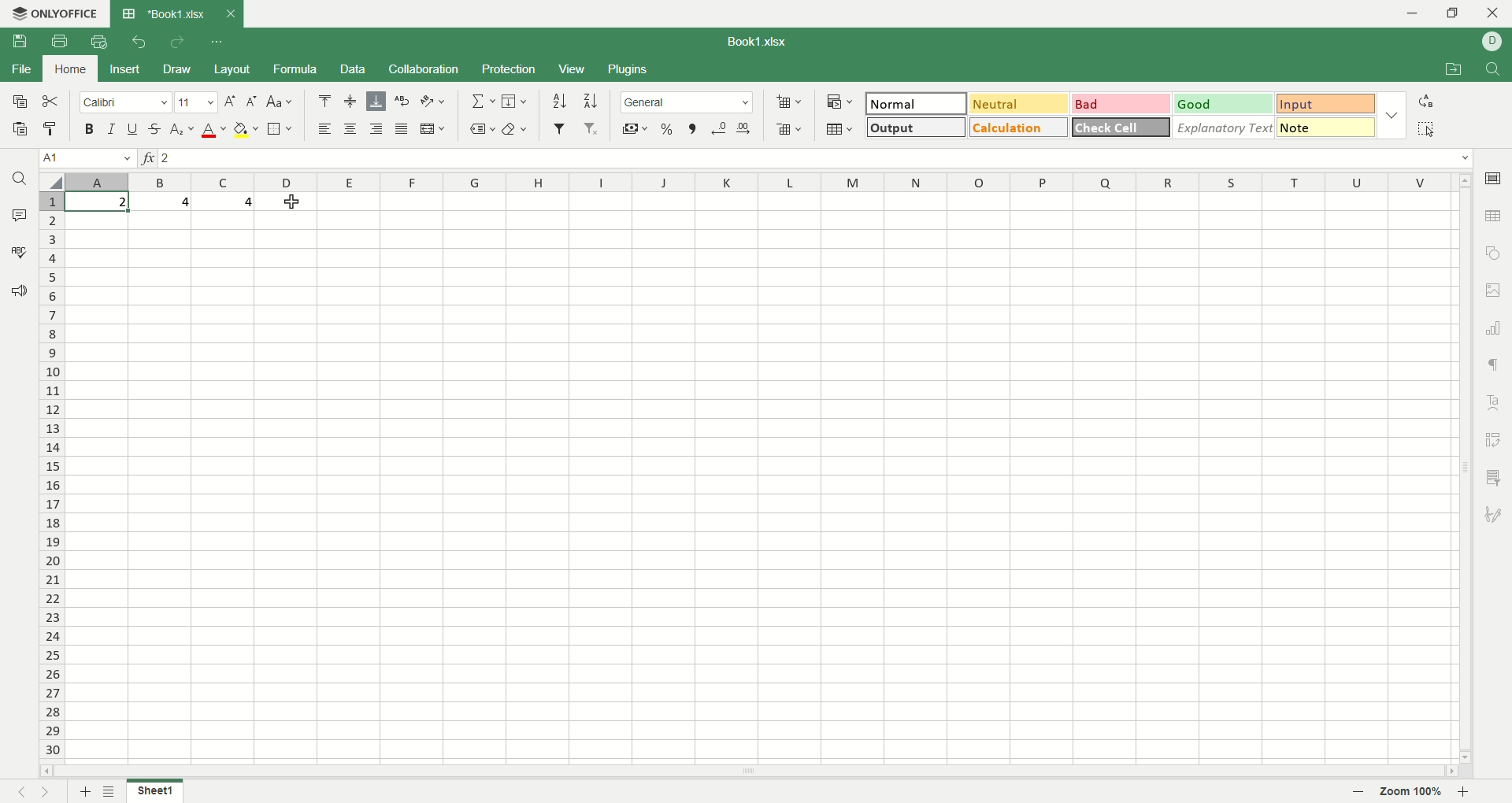  I want to click on font color, so click(212, 131).